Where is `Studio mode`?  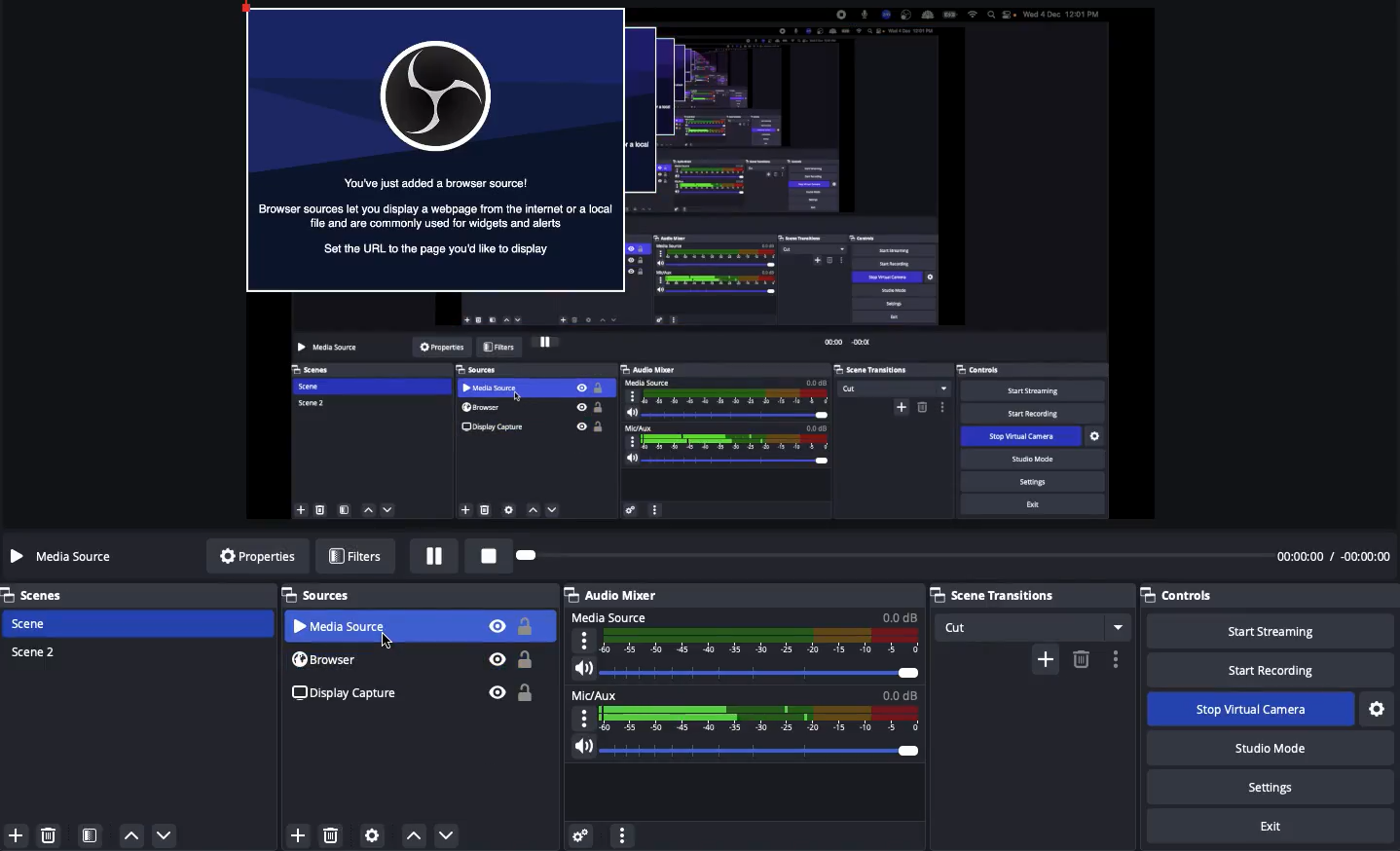 Studio mode is located at coordinates (1263, 746).